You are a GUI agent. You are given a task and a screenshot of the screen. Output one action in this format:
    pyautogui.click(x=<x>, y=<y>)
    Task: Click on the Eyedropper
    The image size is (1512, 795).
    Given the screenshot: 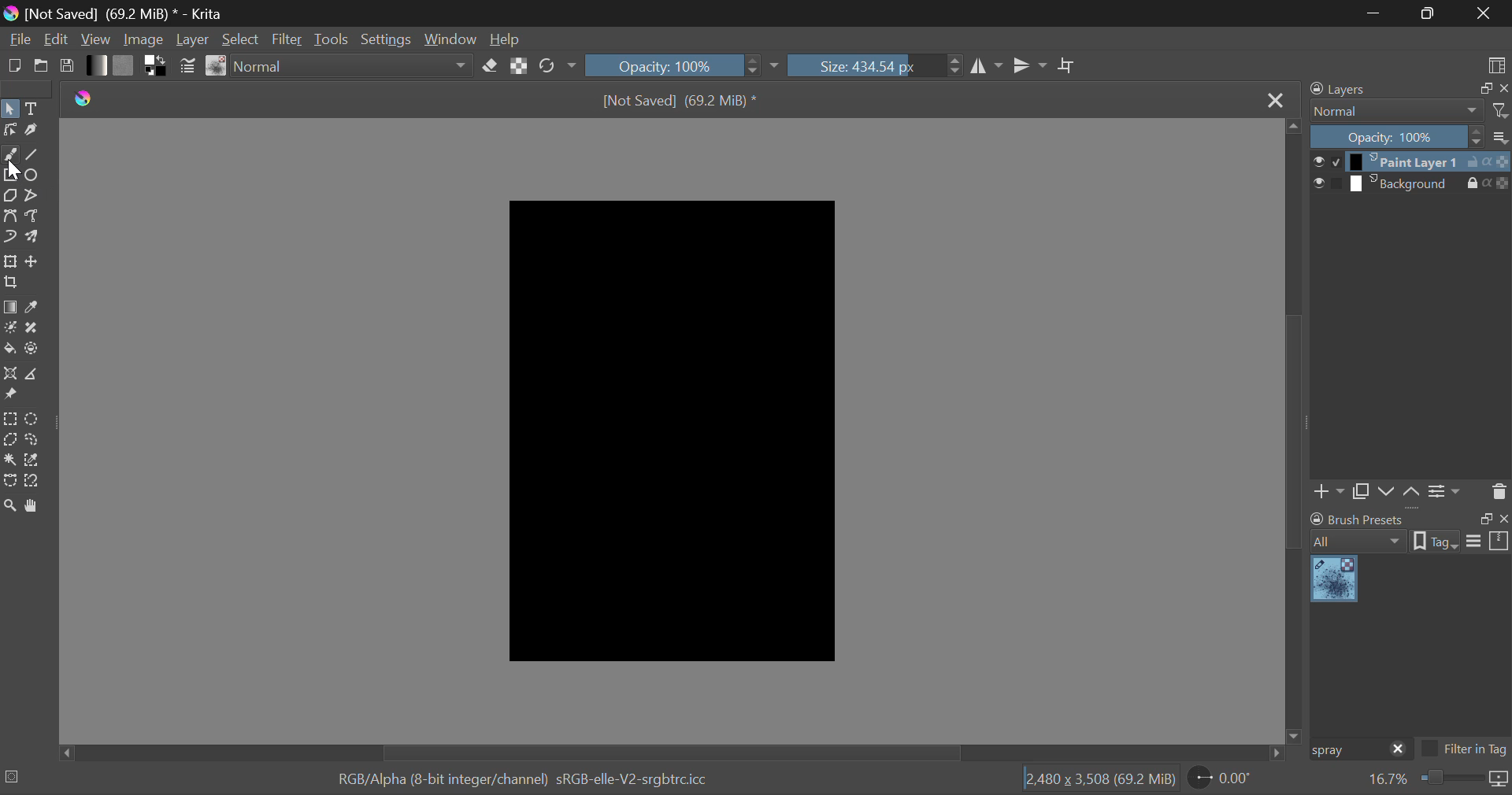 What is the action you would take?
    pyautogui.click(x=34, y=309)
    